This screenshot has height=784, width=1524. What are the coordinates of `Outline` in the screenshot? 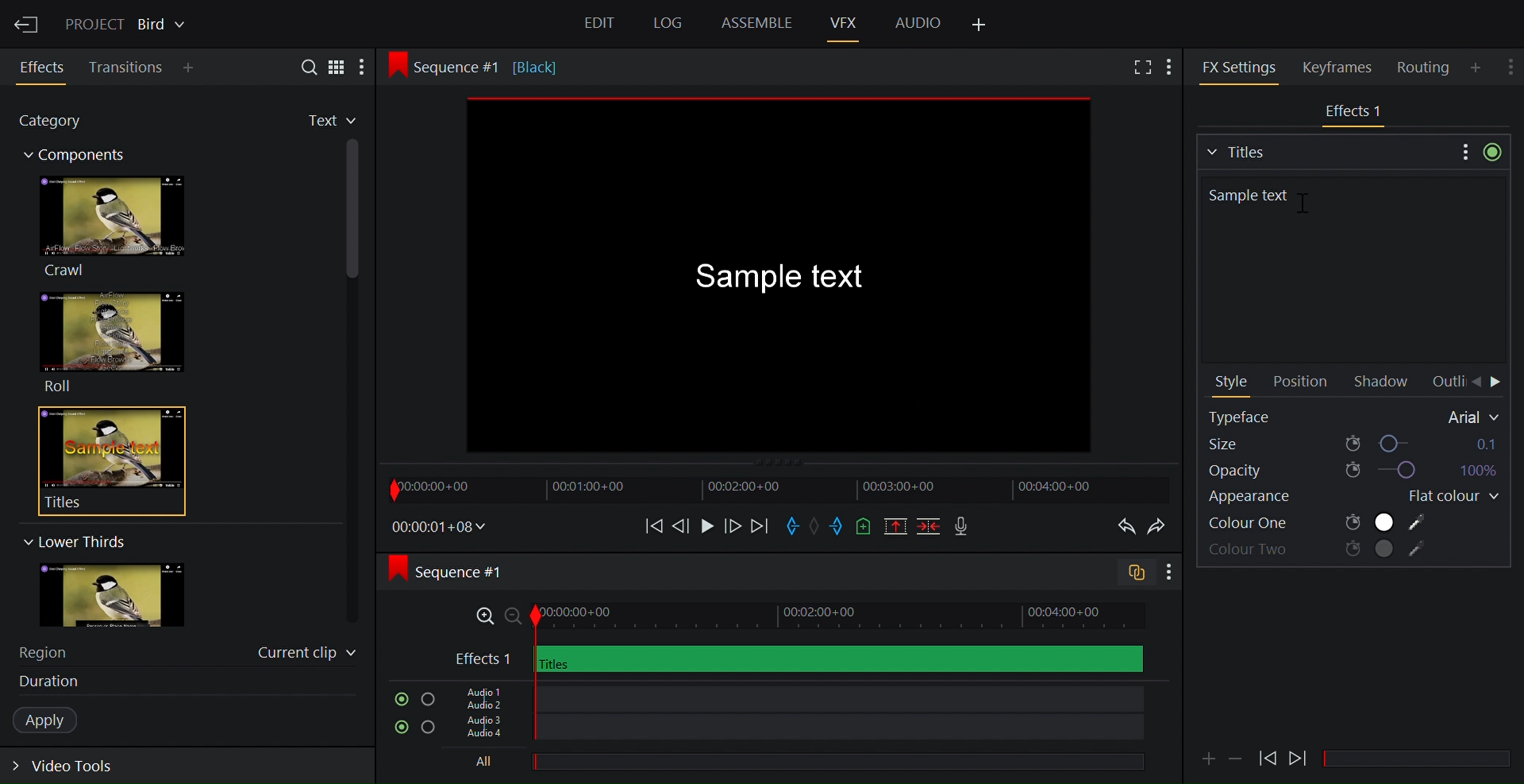 It's located at (1446, 382).